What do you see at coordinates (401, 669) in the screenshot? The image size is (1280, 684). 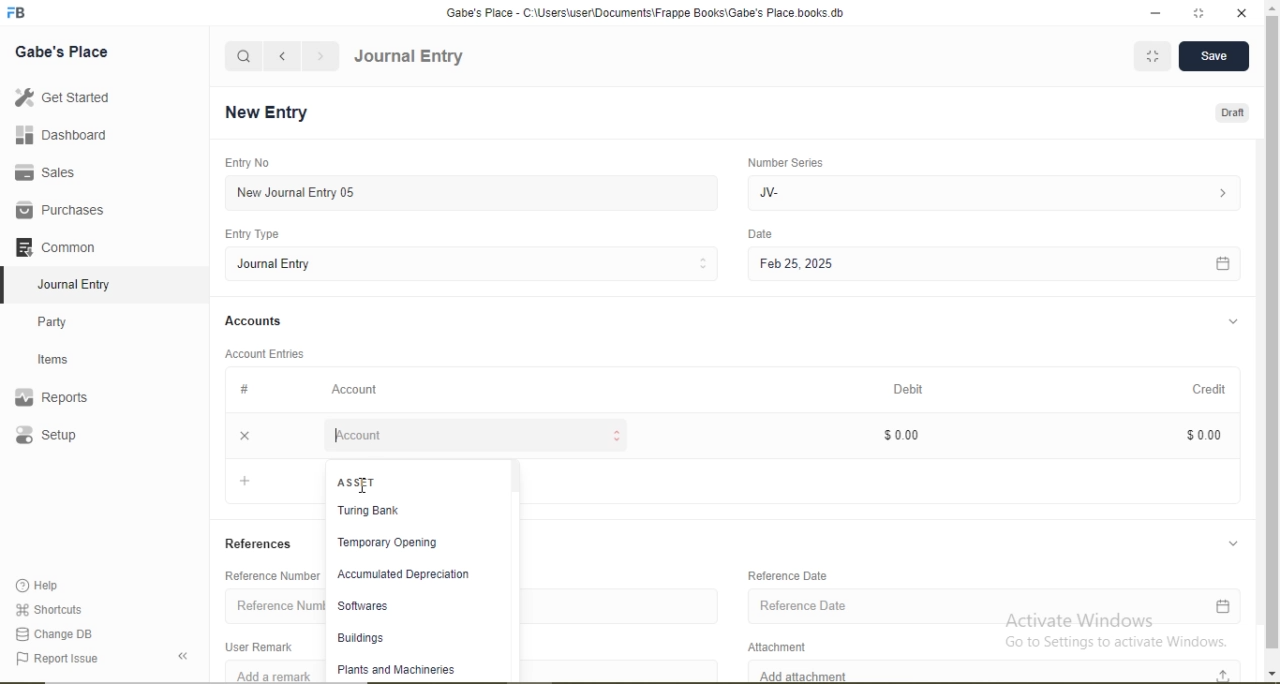 I see `Plants and Machineries` at bounding box center [401, 669].